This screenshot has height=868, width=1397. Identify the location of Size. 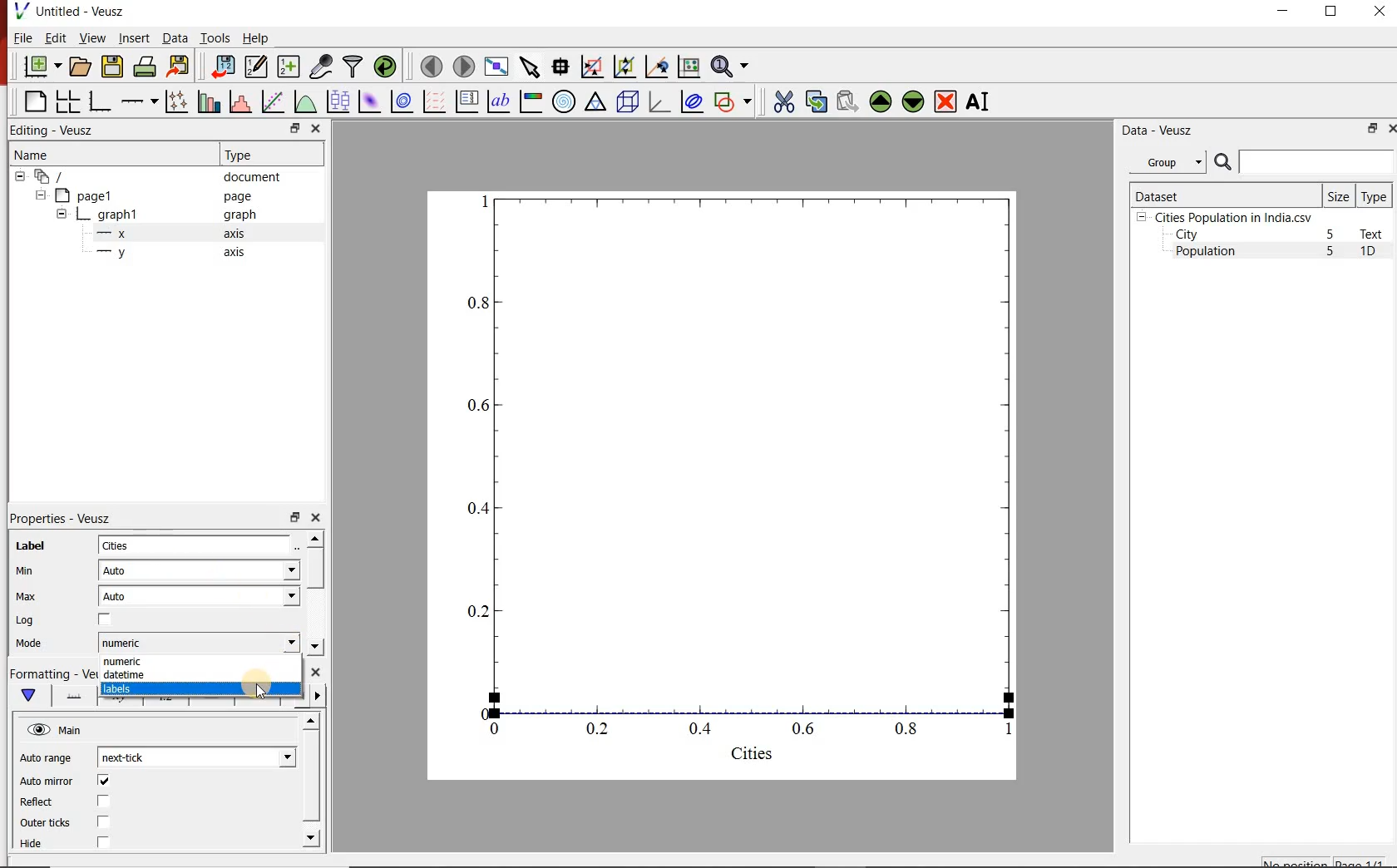
(1339, 195).